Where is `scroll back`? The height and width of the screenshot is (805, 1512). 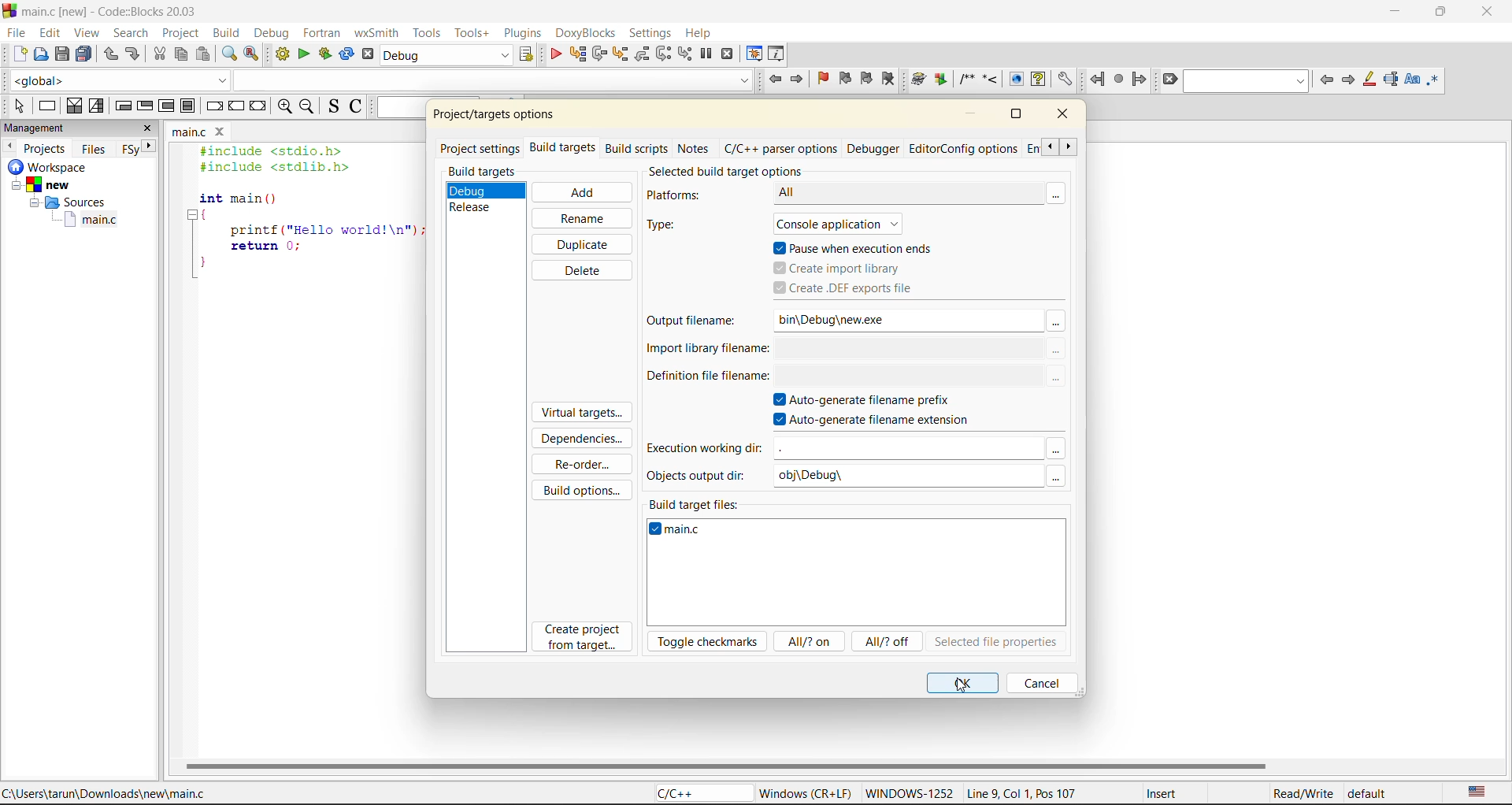 scroll back is located at coordinates (1047, 147).